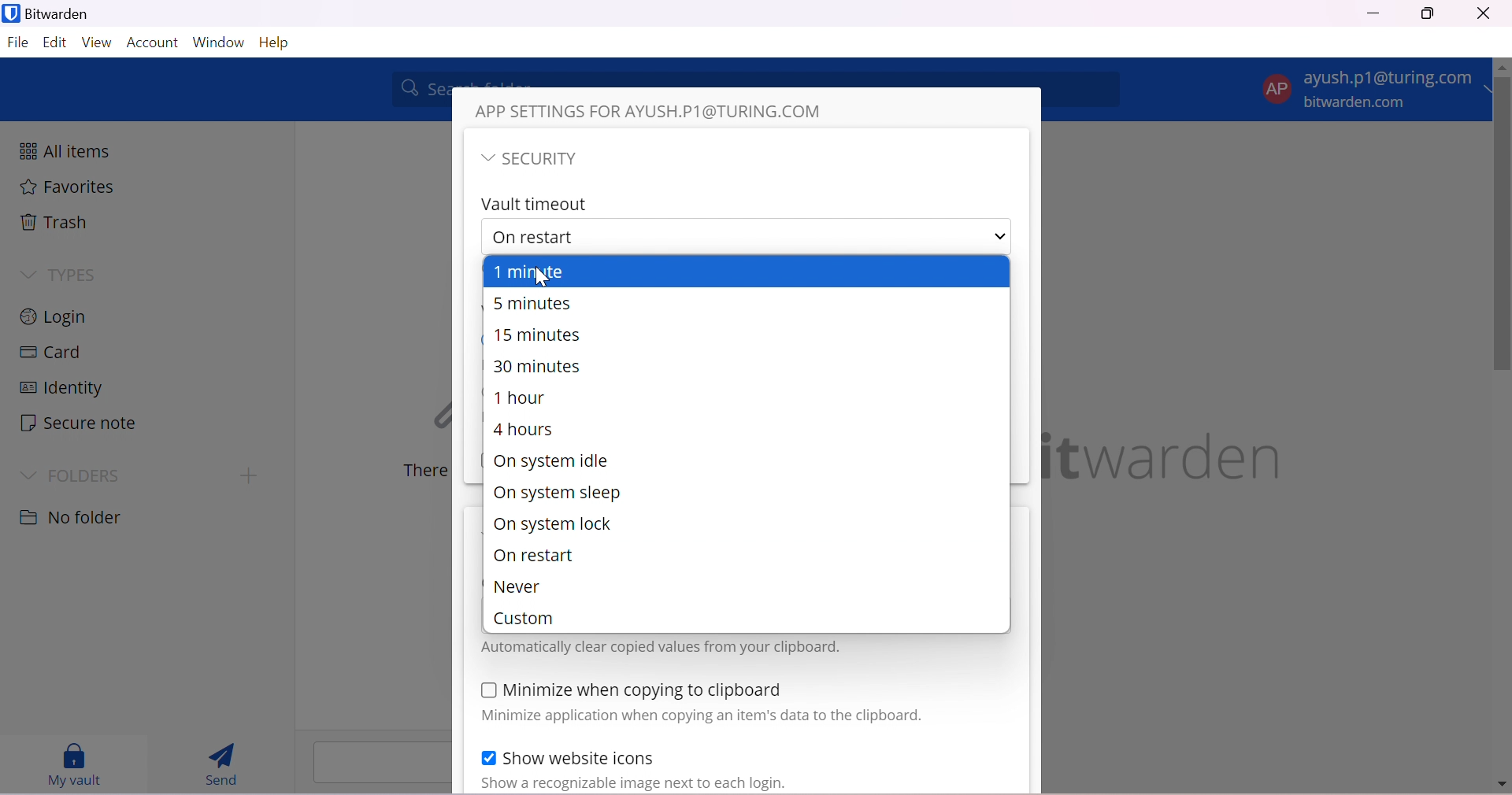 The image size is (1512, 795). What do you see at coordinates (486, 692) in the screenshot?
I see `Checkbox` at bounding box center [486, 692].